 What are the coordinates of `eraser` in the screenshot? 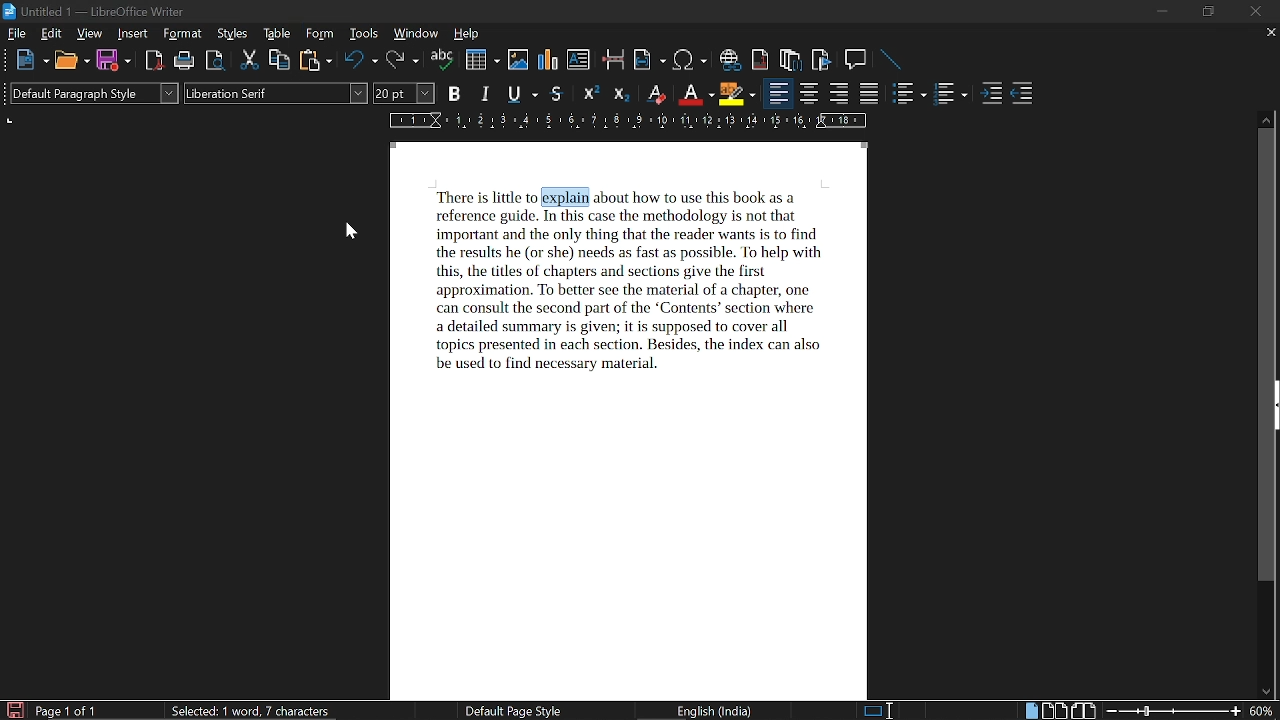 It's located at (656, 96).